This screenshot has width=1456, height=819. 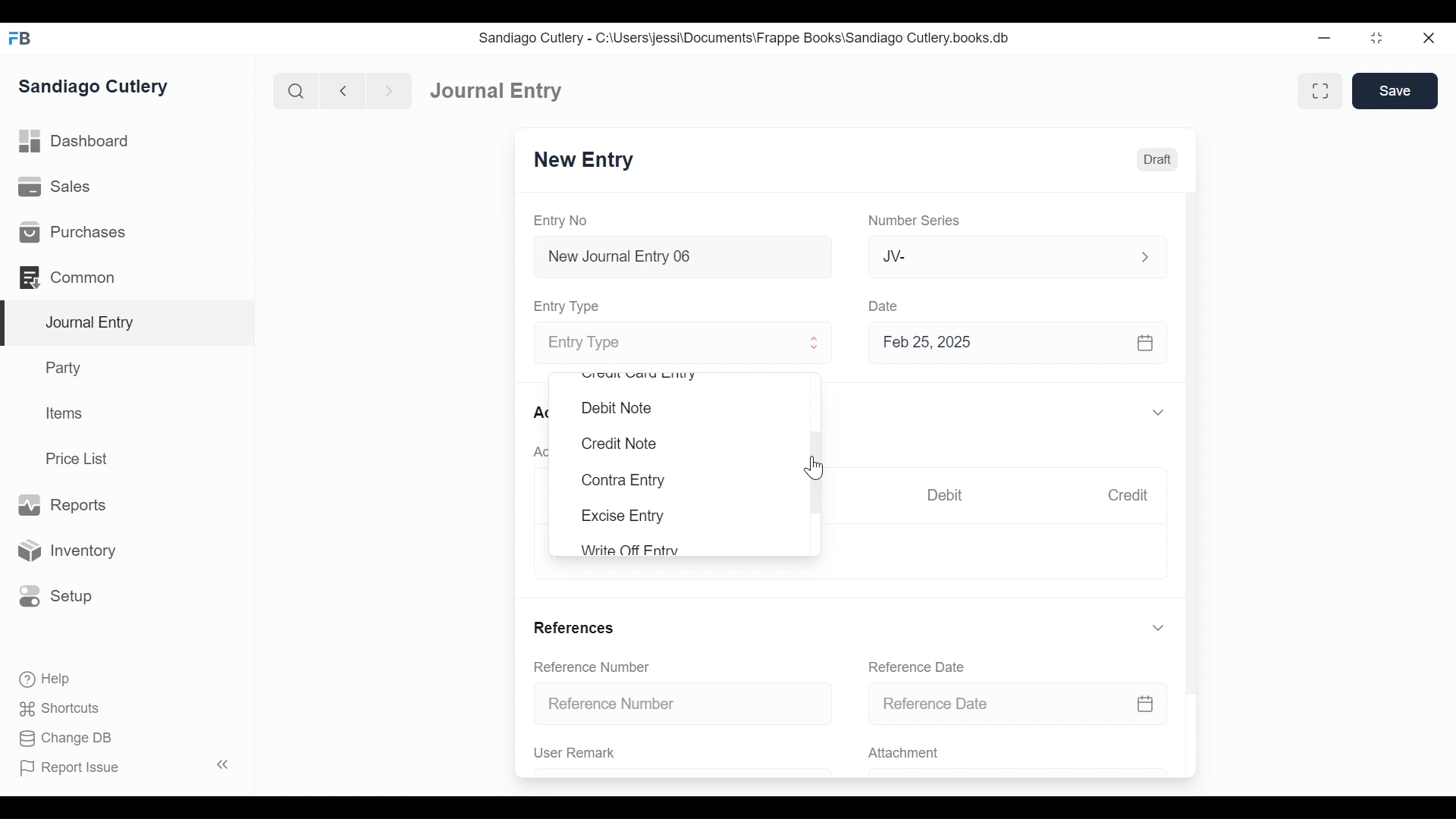 What do you see at coordinates (128, 324) in the screenshot?
I see `Journal Entry` at bounding box center [128, 324].